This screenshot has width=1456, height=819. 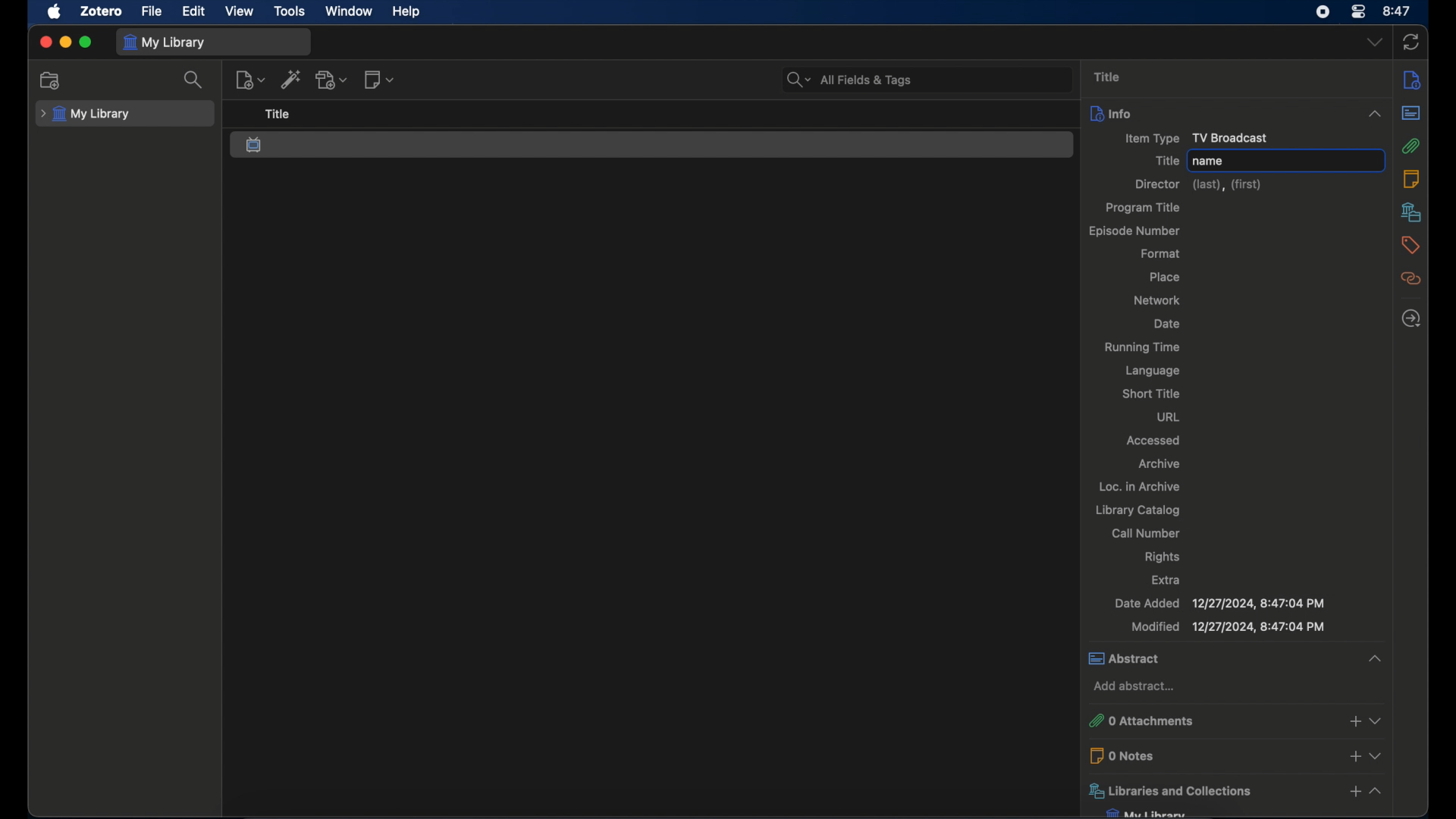 I want to click on program title, so click(x=1145, y=208).